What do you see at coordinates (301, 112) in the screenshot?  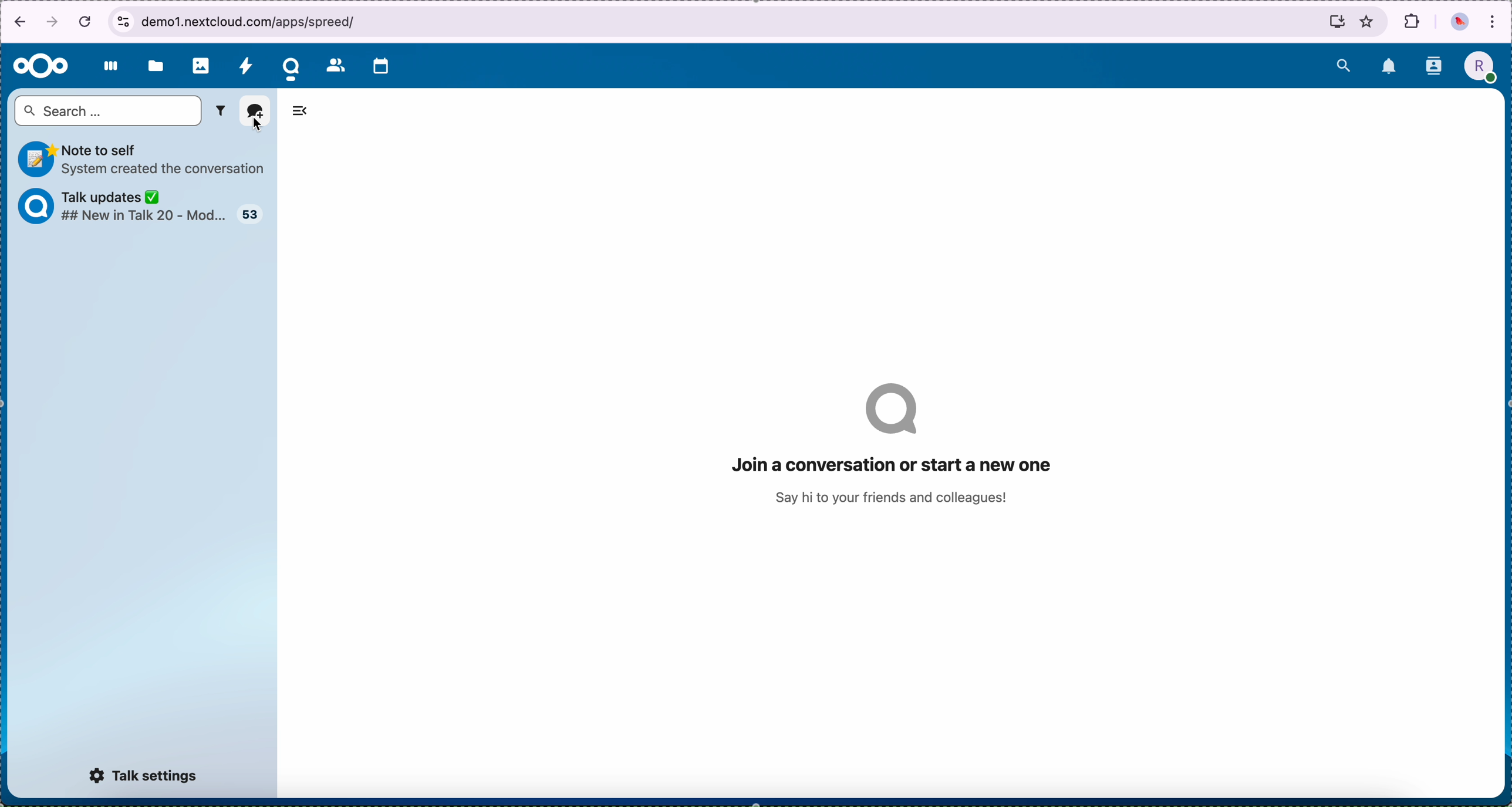 I see `hide tabs` at bounding box center [301, 112].